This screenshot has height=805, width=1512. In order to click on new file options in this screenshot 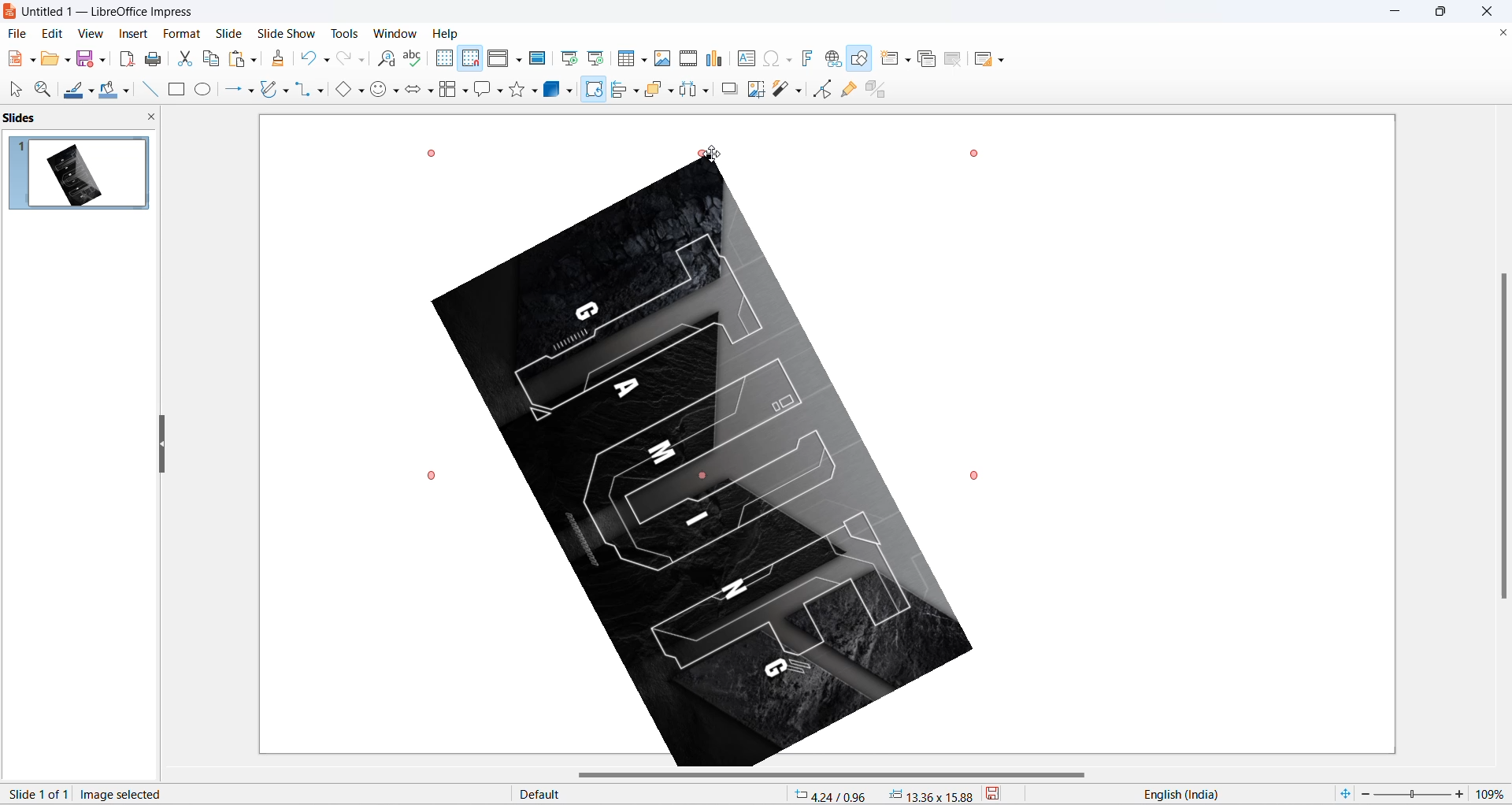, I will do `click(34, 61)`.